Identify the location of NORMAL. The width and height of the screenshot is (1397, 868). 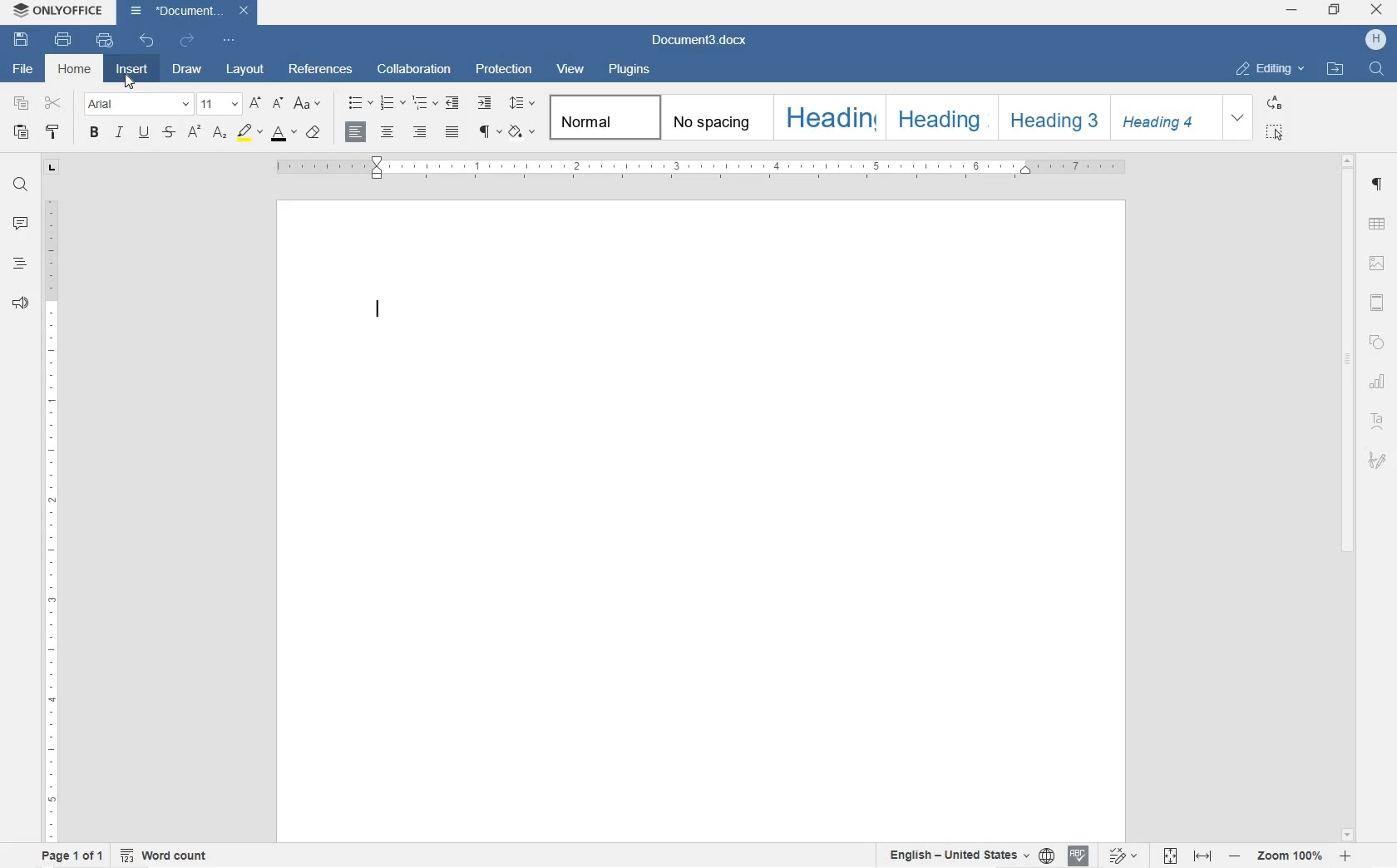
(603, 117).